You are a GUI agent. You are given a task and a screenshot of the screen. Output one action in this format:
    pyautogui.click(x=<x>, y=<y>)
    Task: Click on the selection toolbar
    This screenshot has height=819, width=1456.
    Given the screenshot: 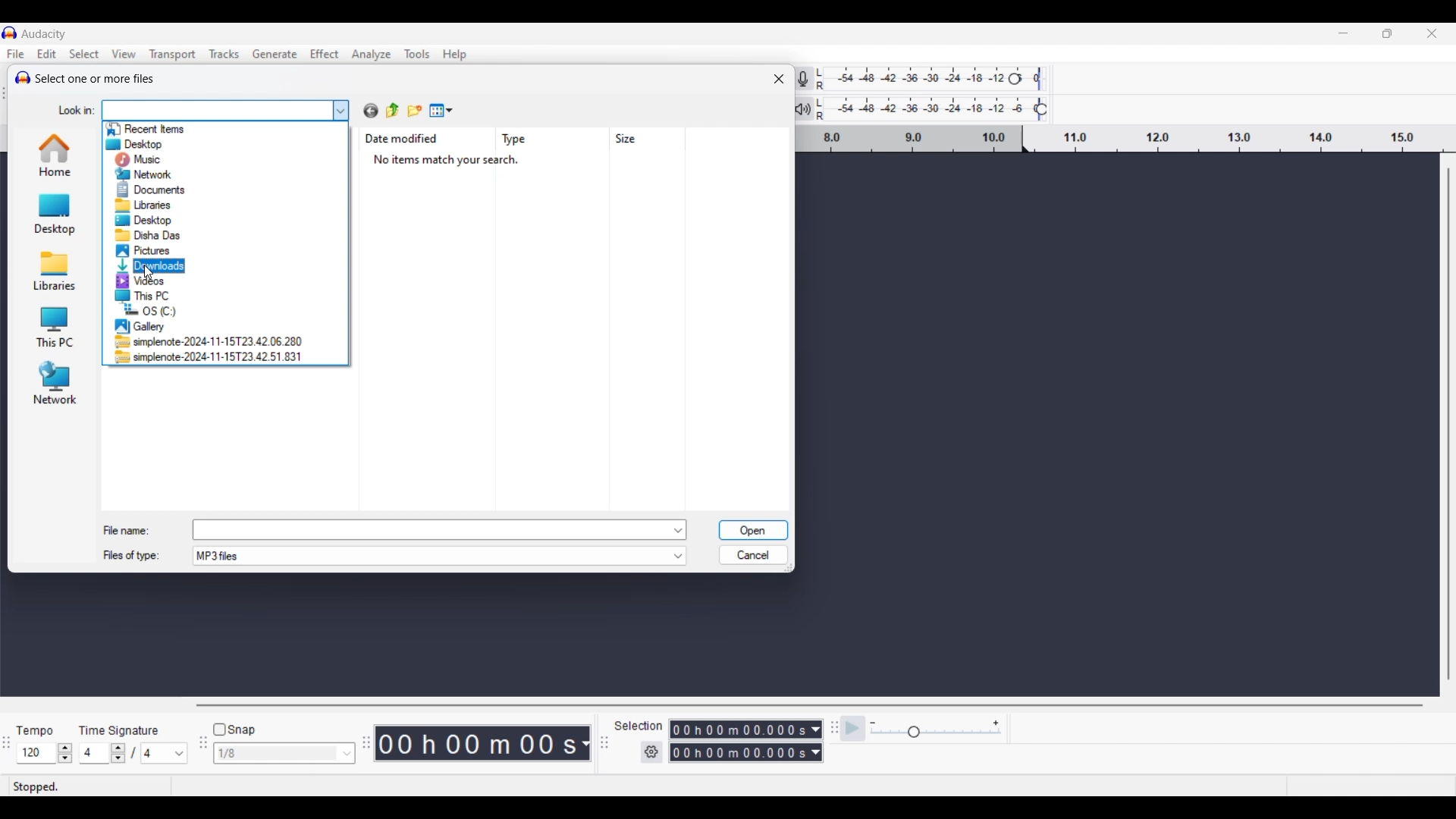 What is the action you would take?
    pyautogui.click(x=601, y=743)
    